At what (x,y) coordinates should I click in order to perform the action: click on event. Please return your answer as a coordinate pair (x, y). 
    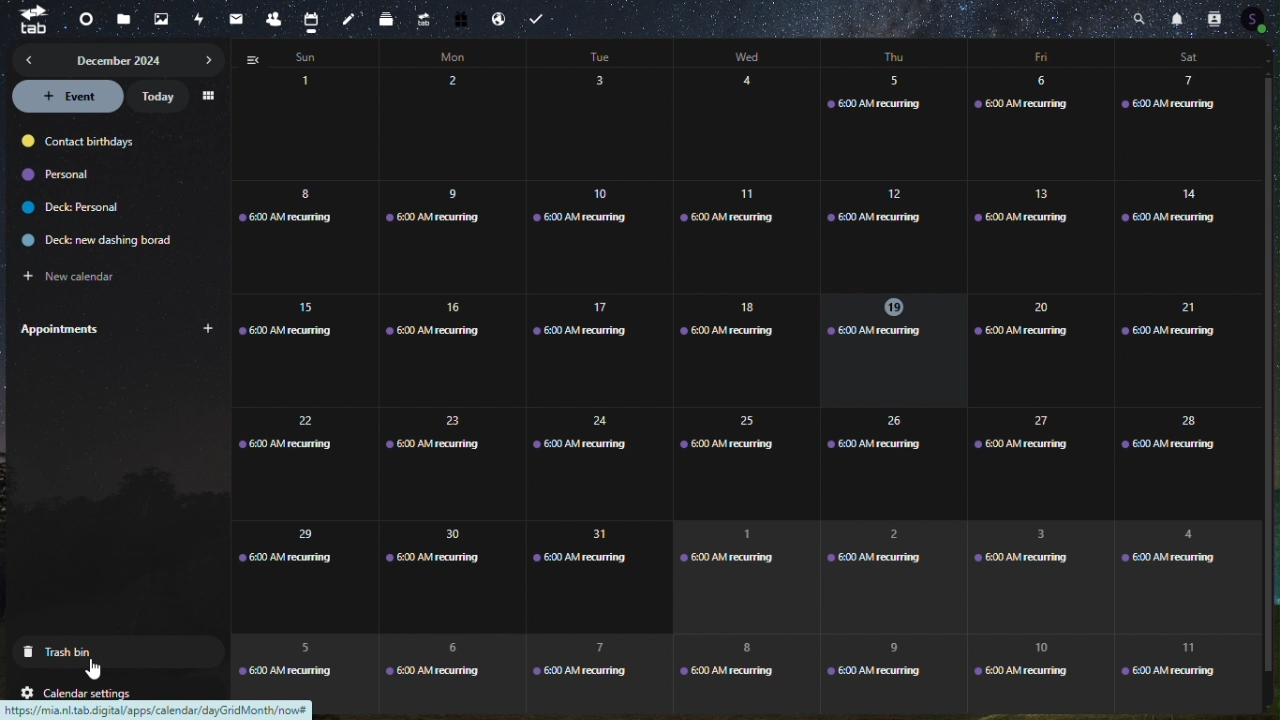
    Looking at the image, I should click on (68, 97).